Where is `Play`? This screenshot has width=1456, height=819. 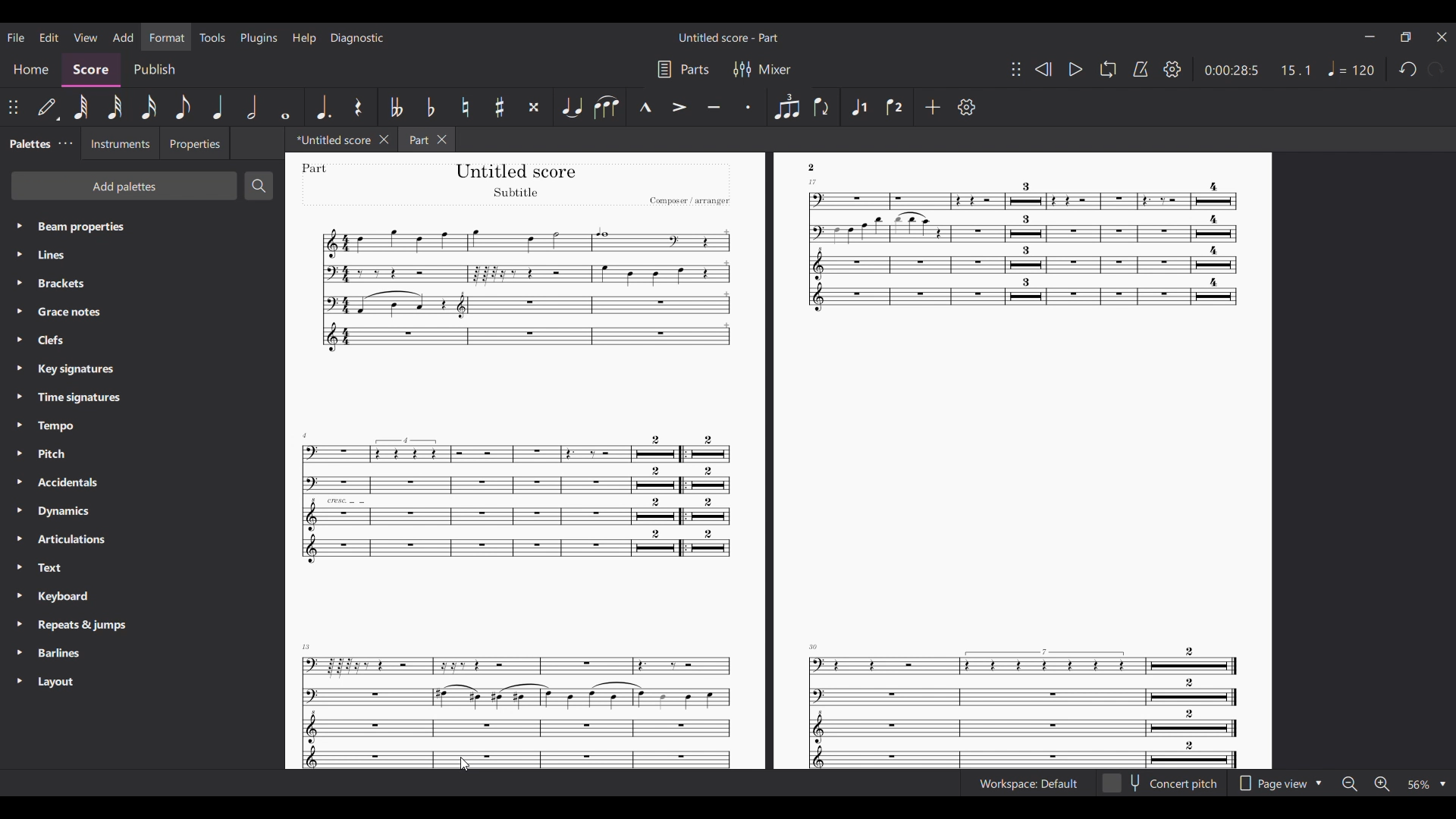 Play is located at coordinates (1076, 70).